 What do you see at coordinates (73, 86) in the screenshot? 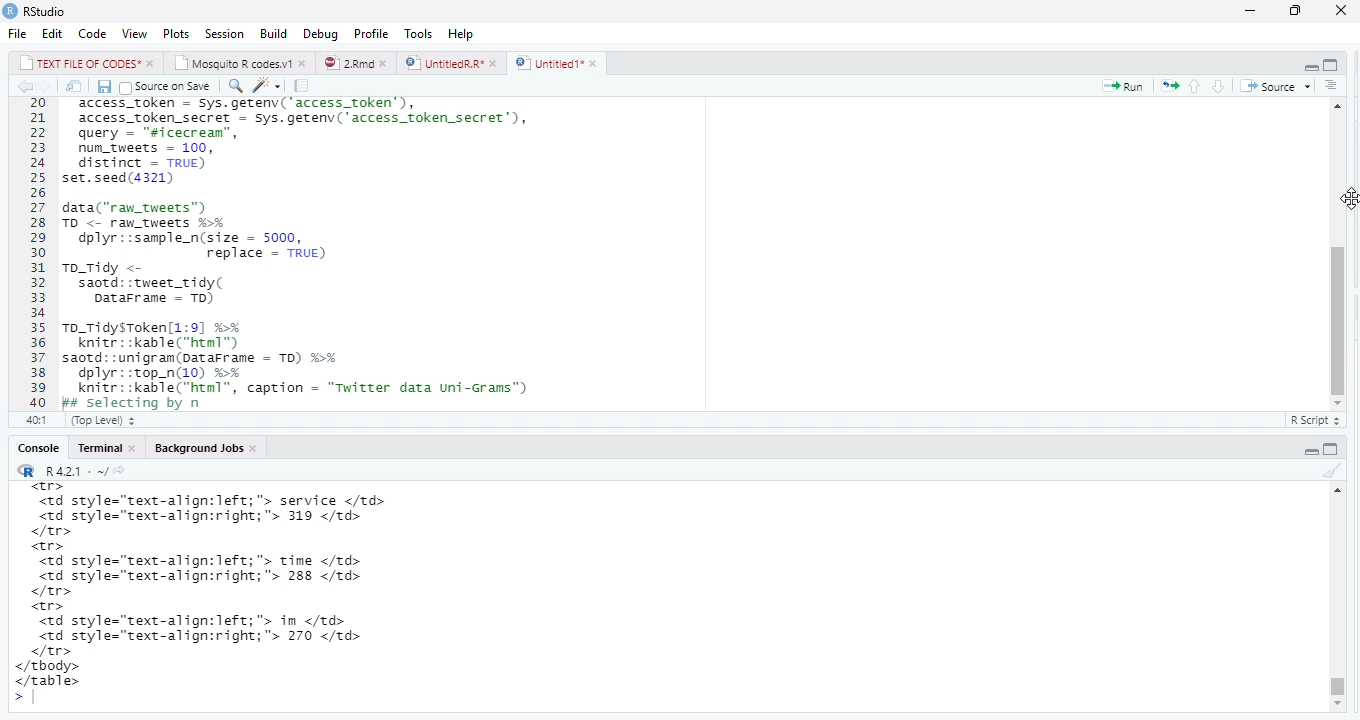
I see `show iin new window` at bounding box center [73, 86].